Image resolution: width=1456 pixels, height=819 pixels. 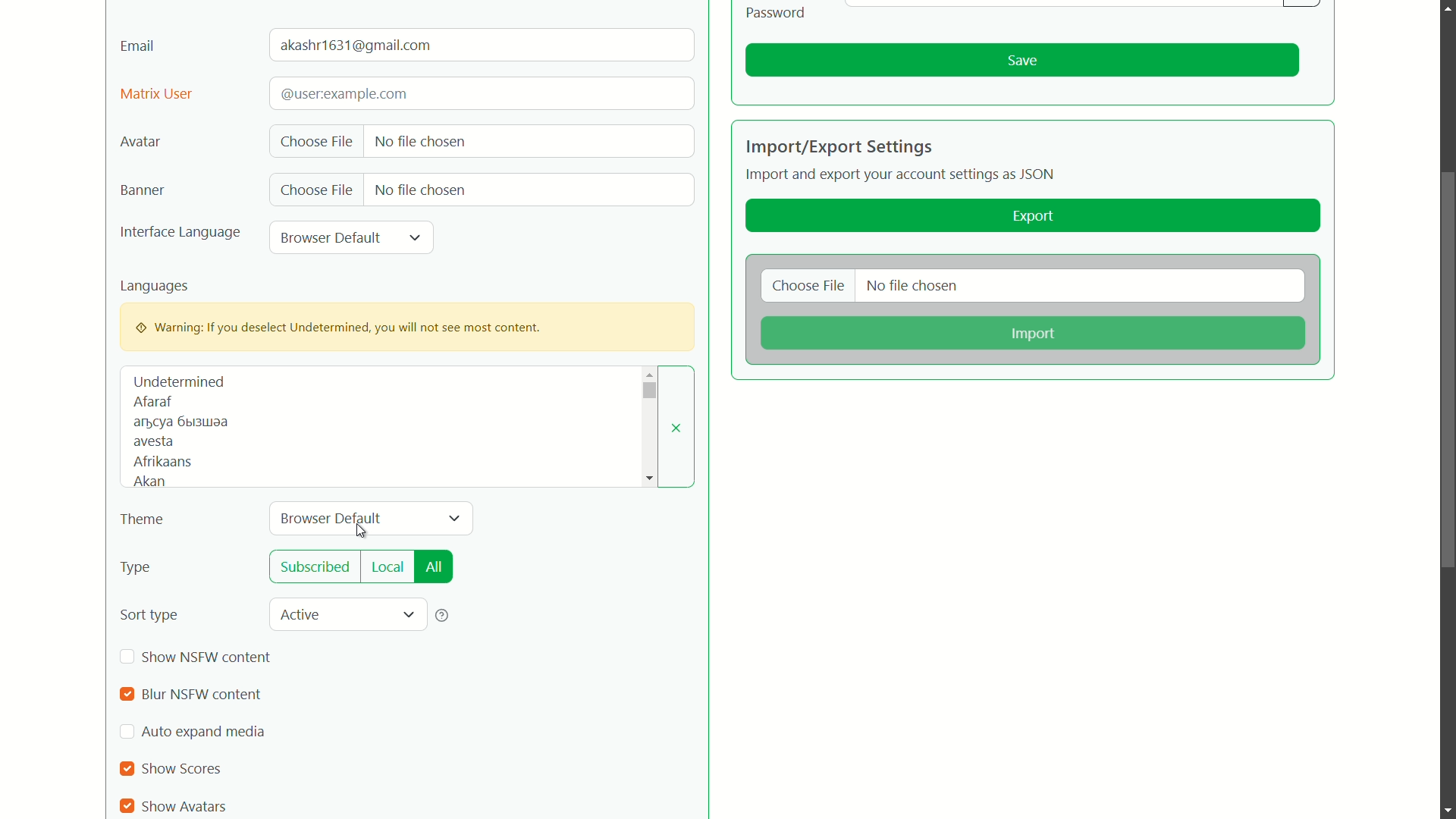 What do you see at coordinates (126, 695) in the screenshot?
I see `checkbox` at bounding box center [126, 695].